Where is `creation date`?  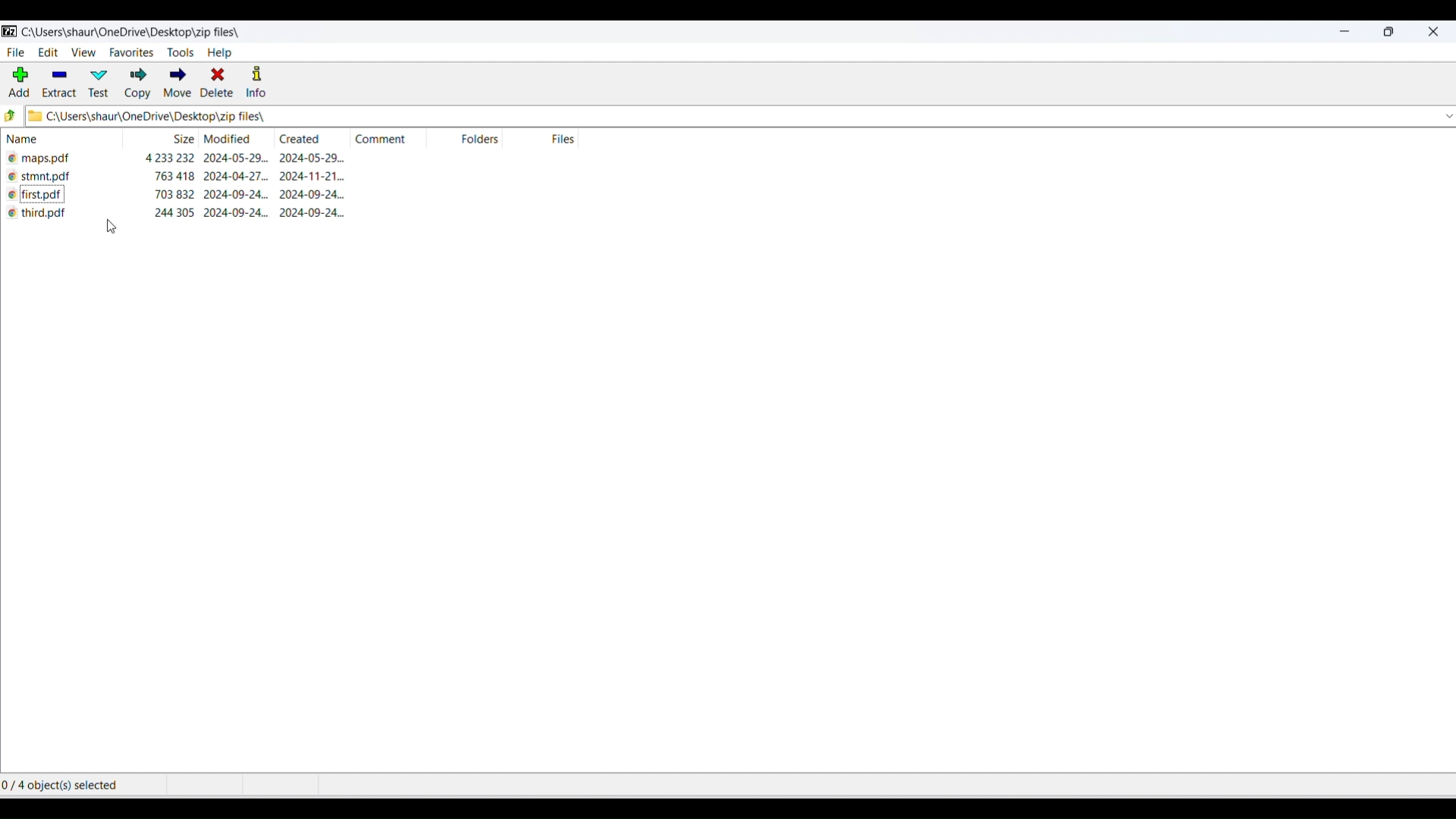
creation date is located at coordinates (319, 159).